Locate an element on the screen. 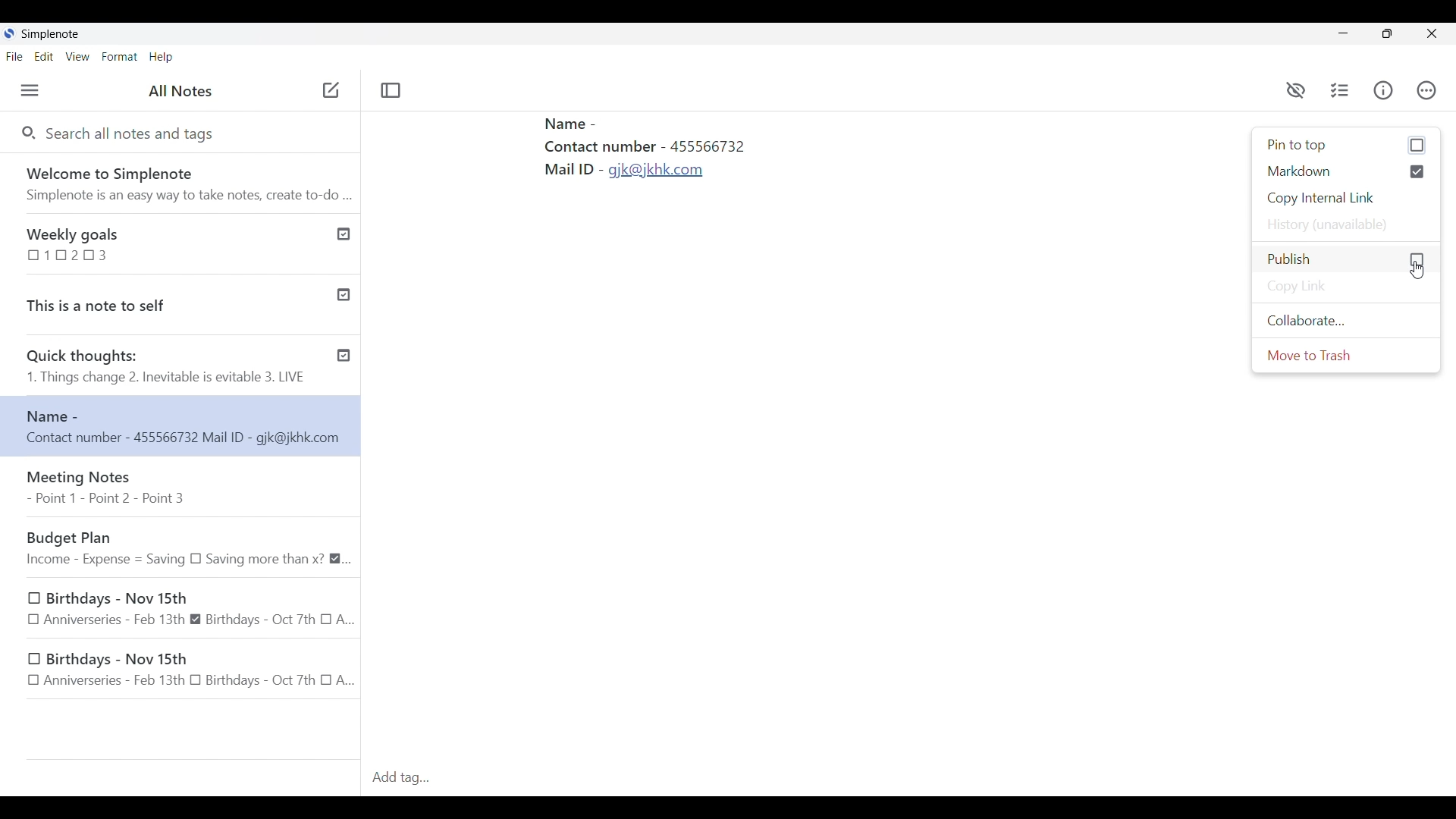 This screenshot has height=819, width=1456. Add new note is located at coordinates (331, 89).